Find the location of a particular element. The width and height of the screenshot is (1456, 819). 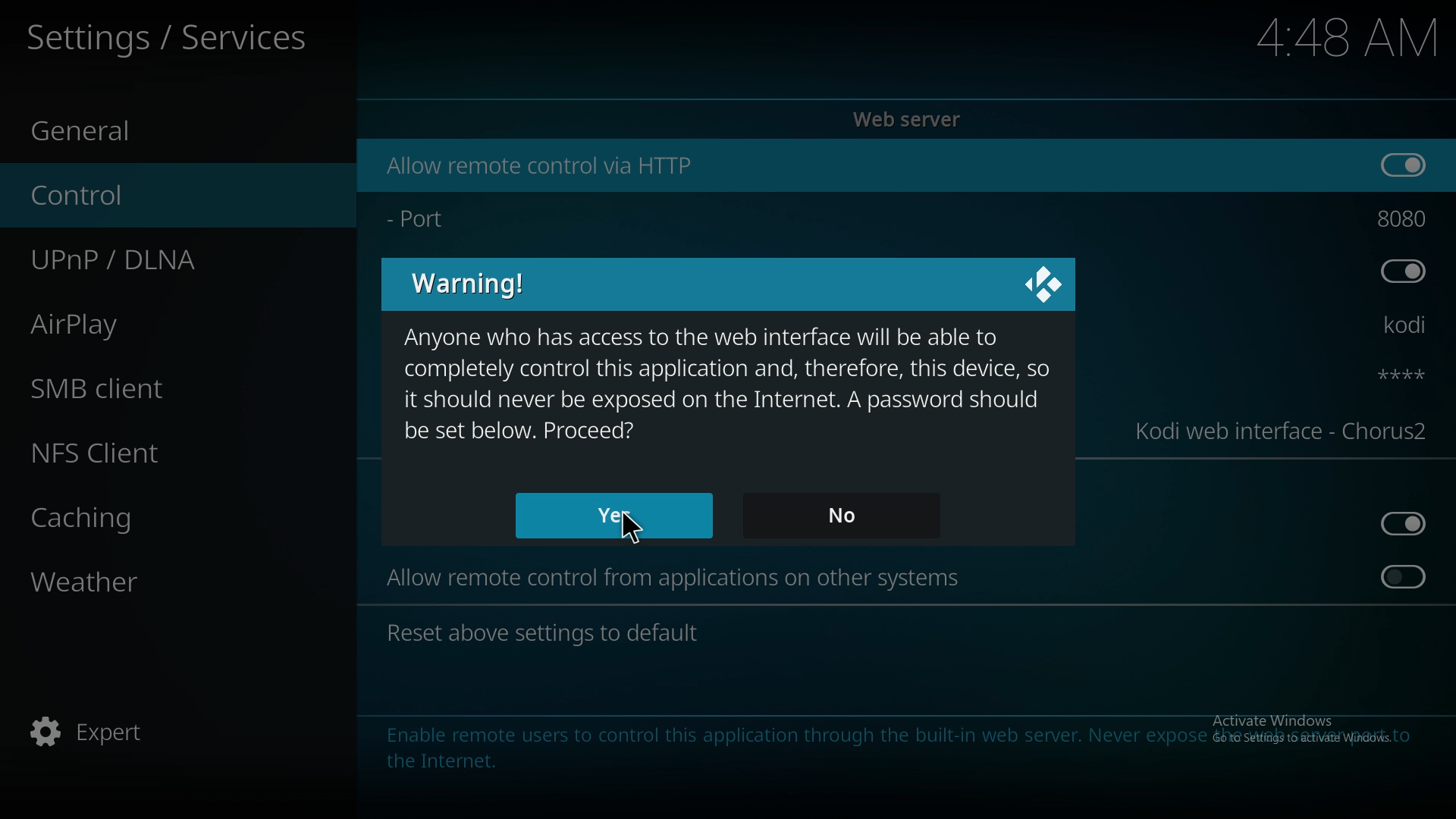

airplay is located at coordinates (114, 326).